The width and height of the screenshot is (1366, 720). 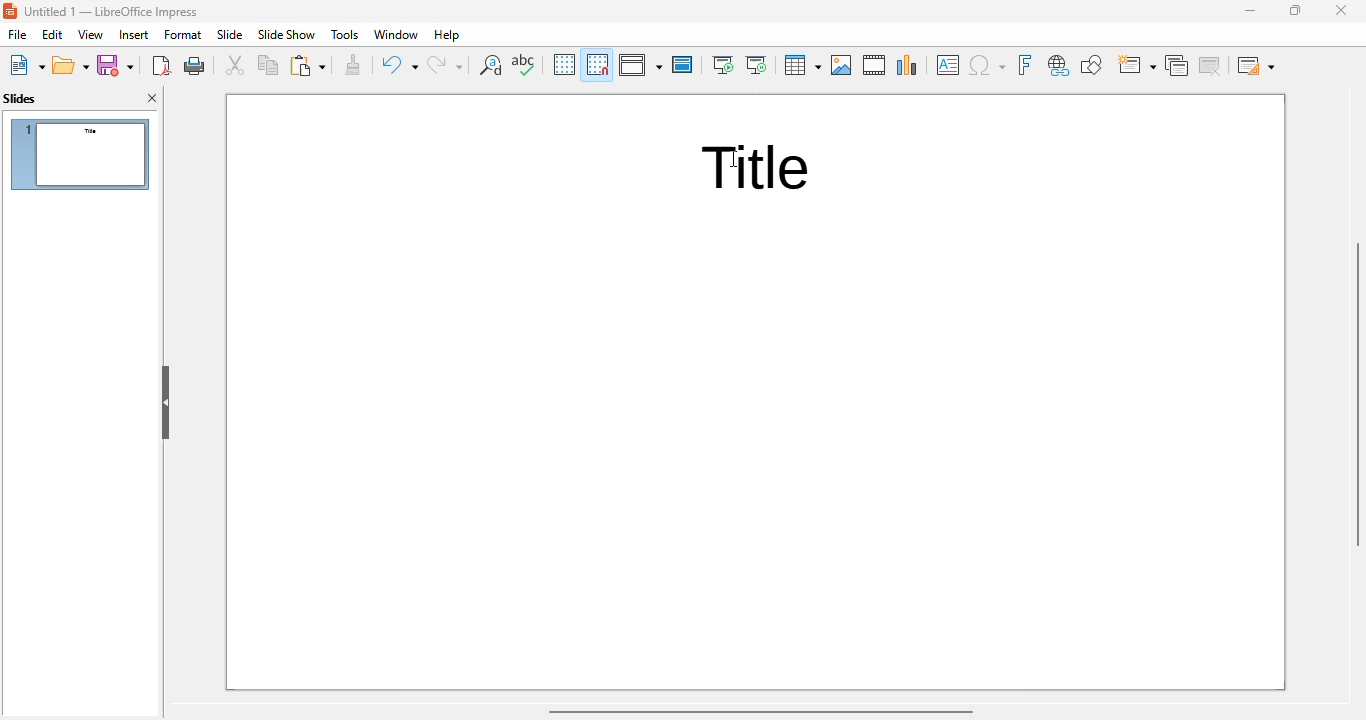 What do you see at coordinates (1354, 394) in the screenshot?
I see `vertical scroll bar` at bounding box center [1354, 394].